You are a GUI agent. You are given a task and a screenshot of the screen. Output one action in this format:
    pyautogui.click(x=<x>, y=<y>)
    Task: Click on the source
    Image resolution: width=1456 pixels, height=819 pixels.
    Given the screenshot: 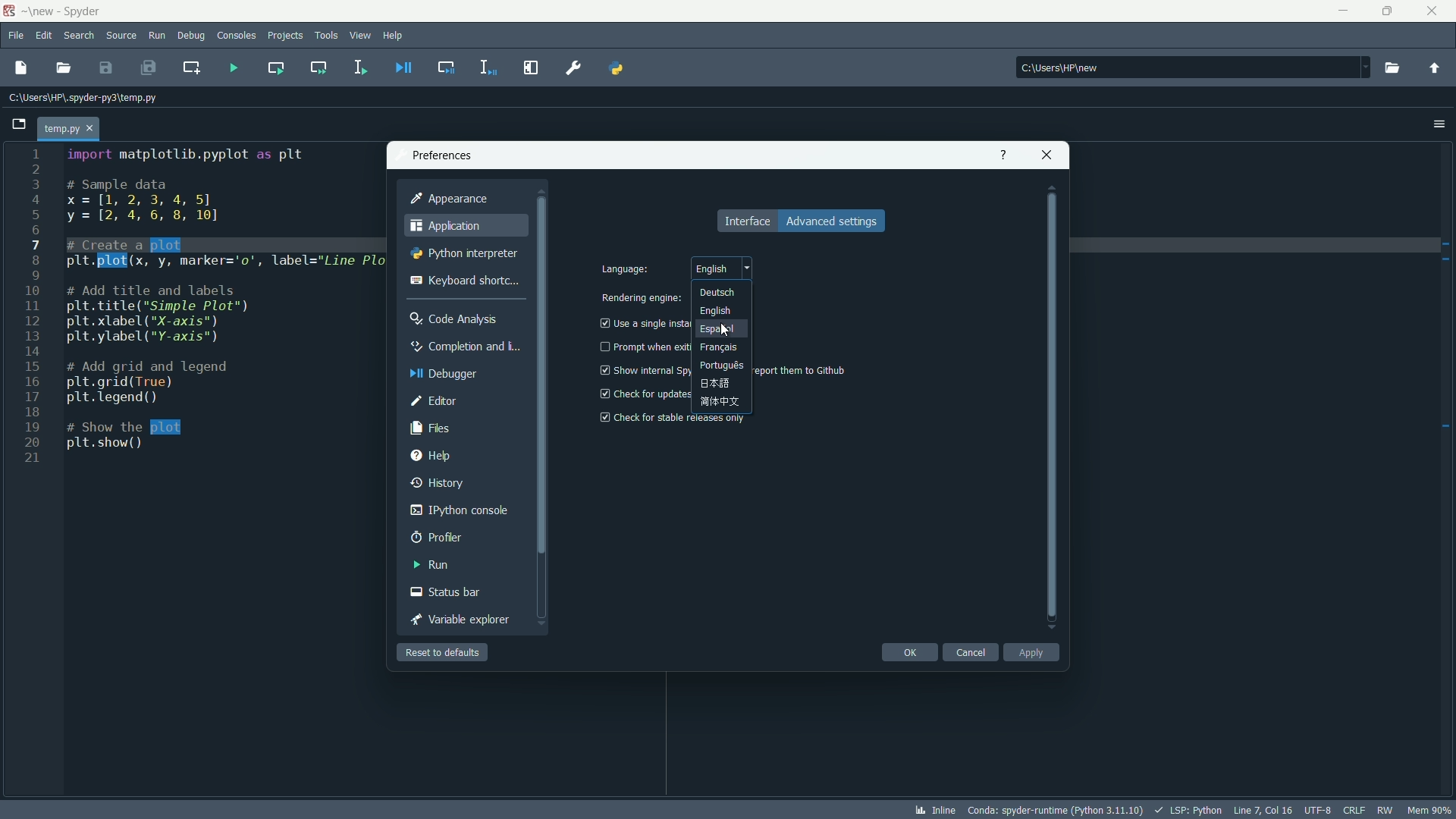 What is the action you would take?
    pyautogui.click(x=121, y=35)
    